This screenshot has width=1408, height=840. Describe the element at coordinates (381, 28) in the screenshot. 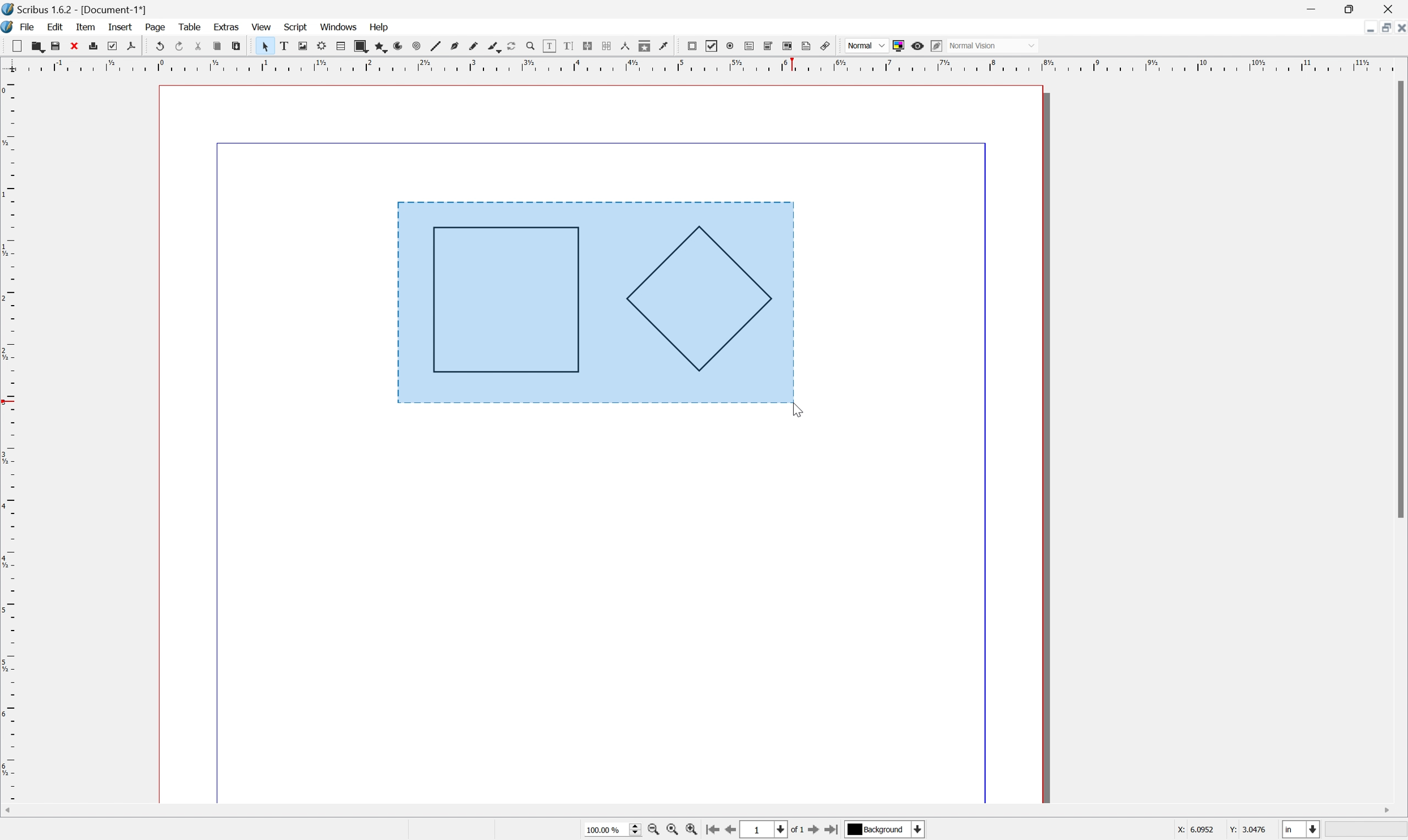

I see `help` at that location.